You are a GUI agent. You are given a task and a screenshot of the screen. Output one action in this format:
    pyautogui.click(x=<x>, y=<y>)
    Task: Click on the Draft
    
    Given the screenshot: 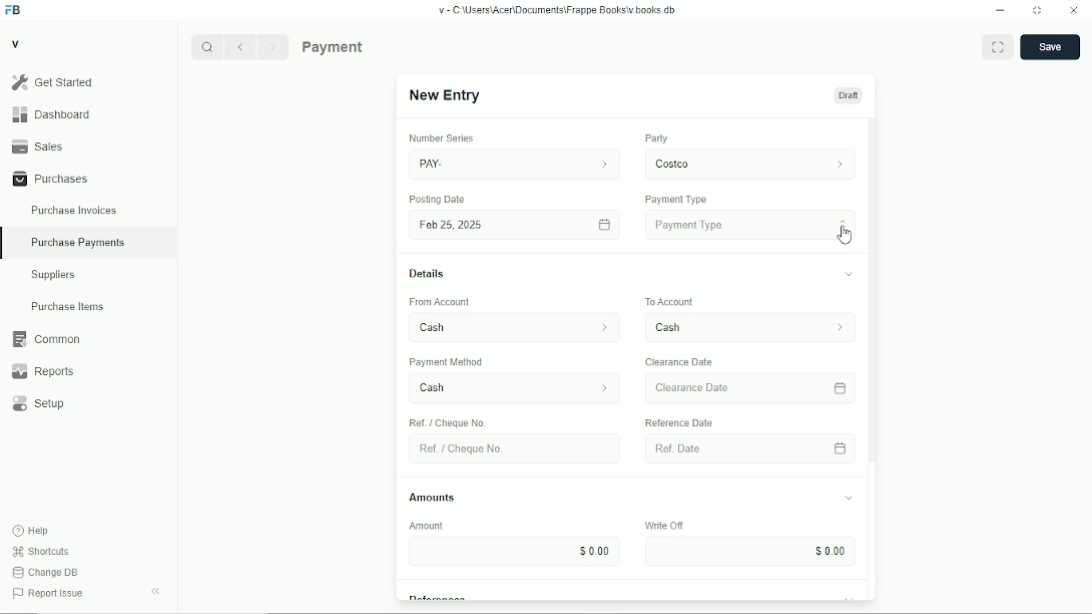 What is the action you would take?
    pyautogui.click(x=848, y=95)
    